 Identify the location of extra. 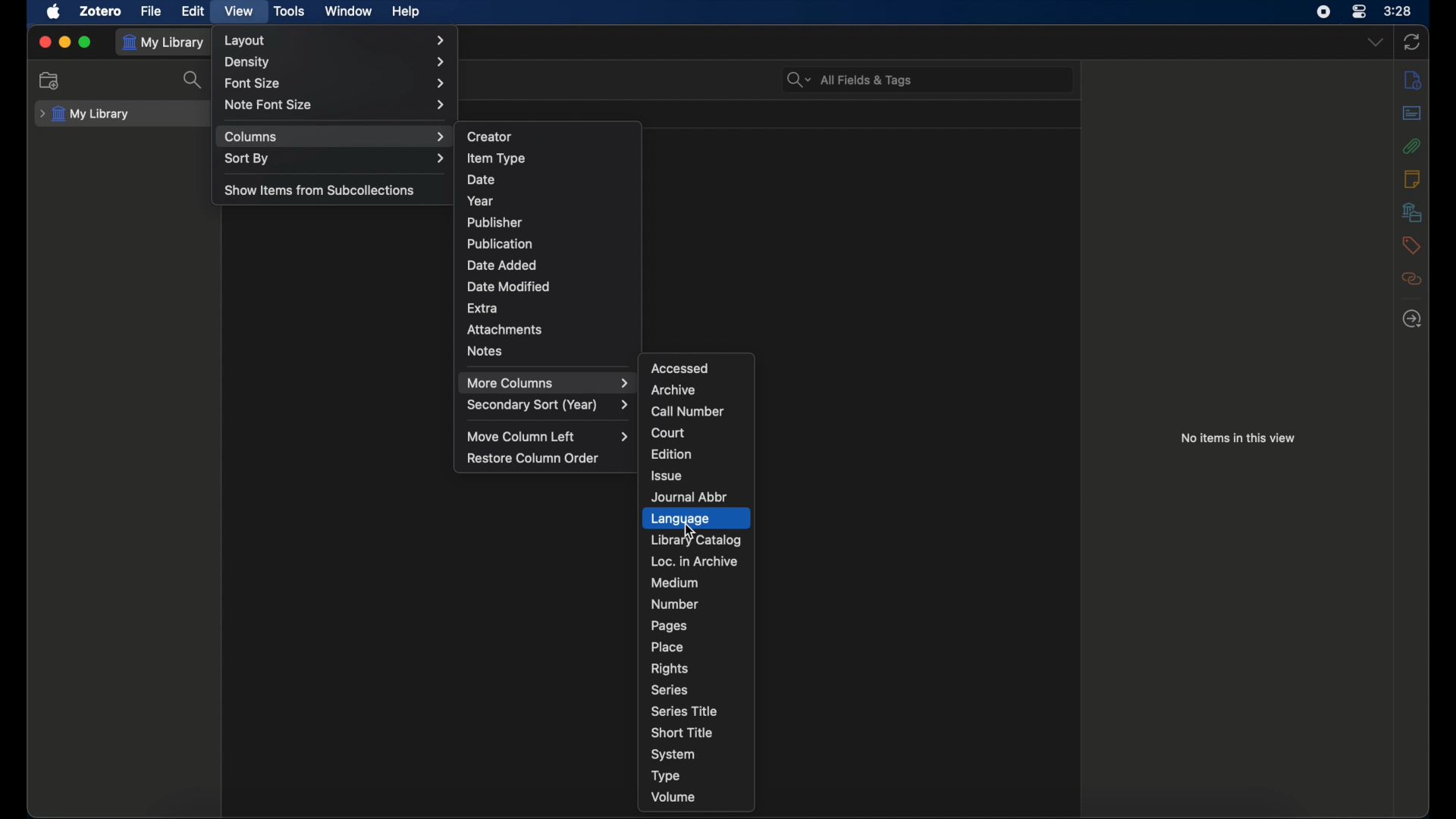
(484, 306).